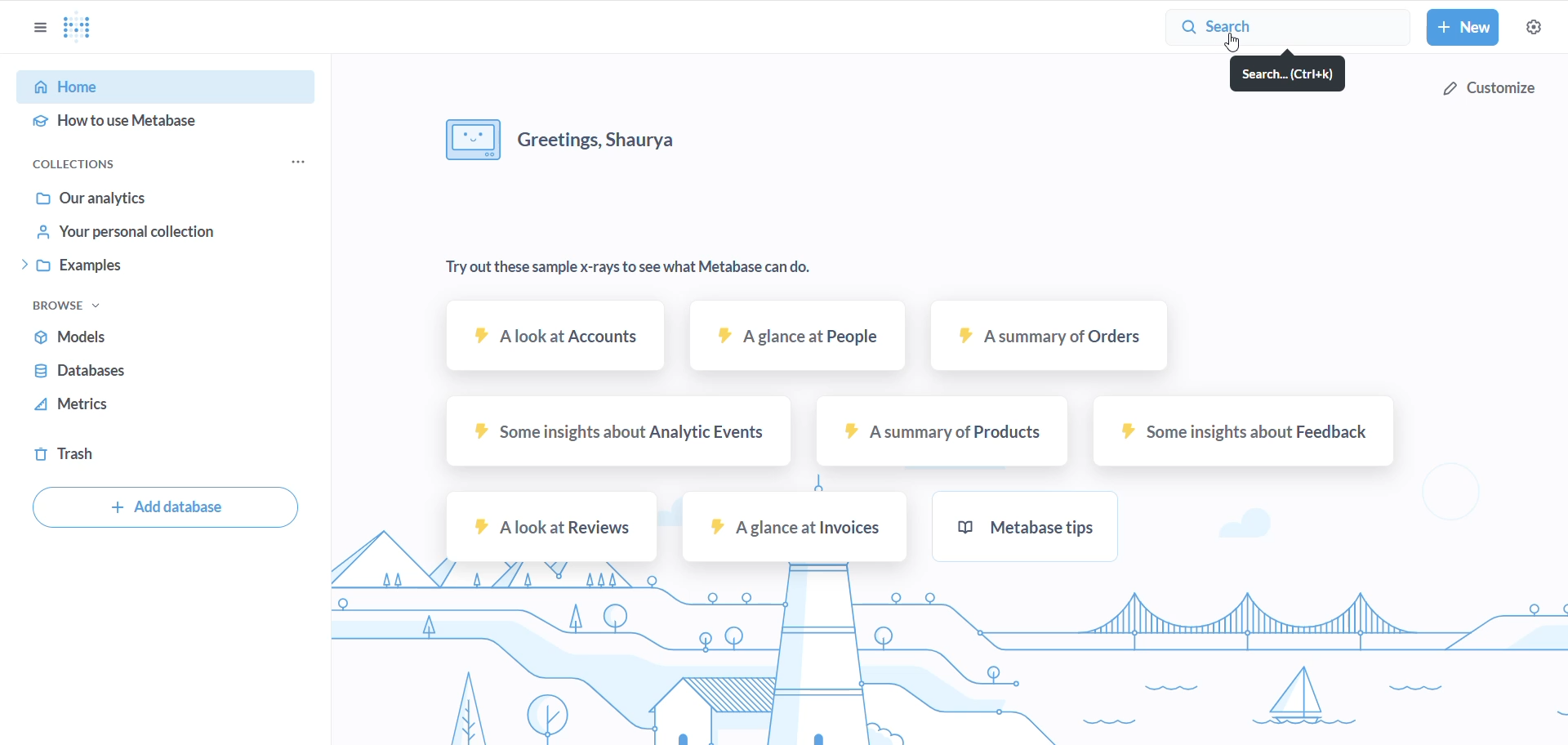  Describe the element at coordinates (138, 267) in the screenshot. I see `examples` at that location.